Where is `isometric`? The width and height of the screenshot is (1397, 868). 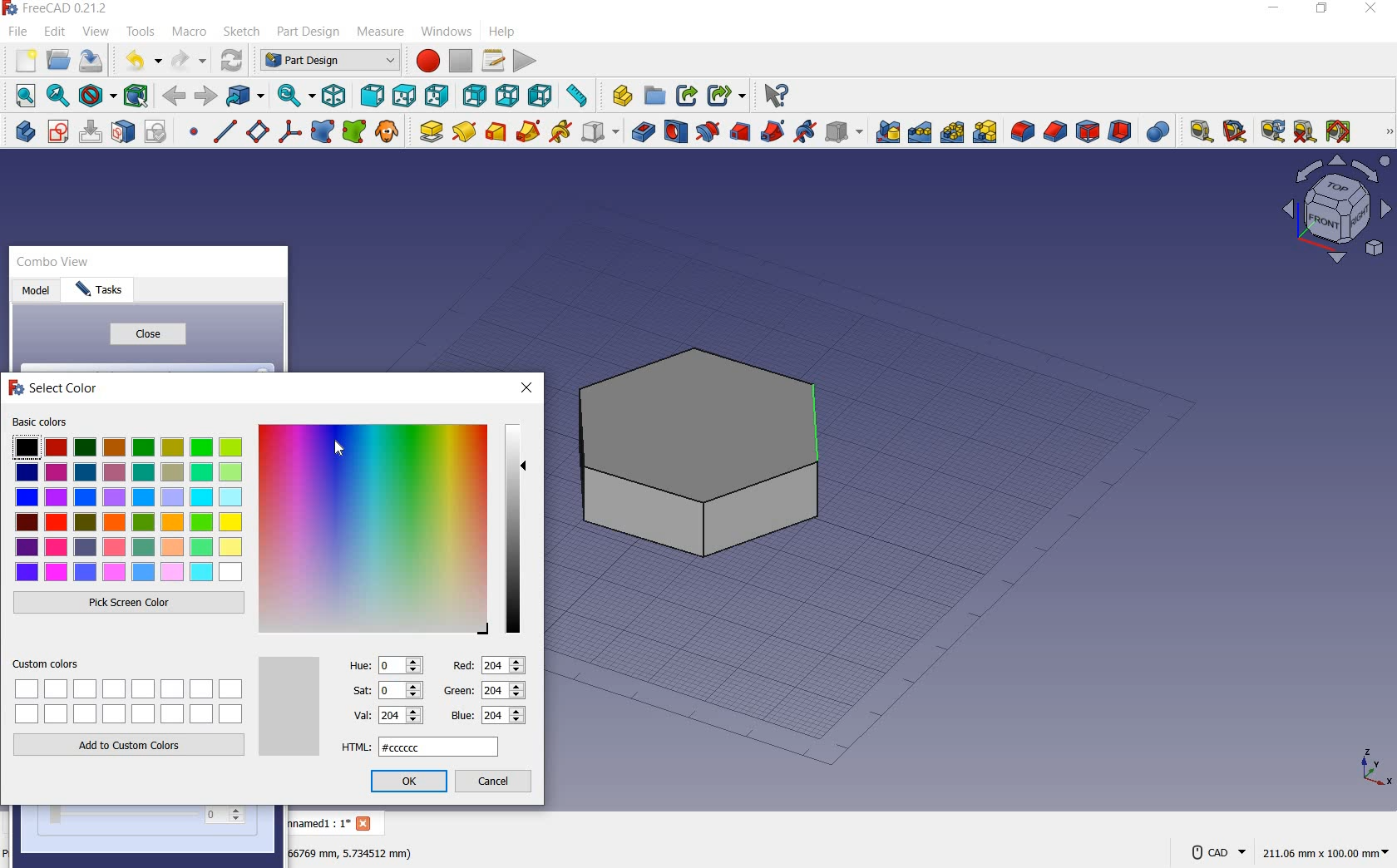
isometric is located at coordinates (337, 97).